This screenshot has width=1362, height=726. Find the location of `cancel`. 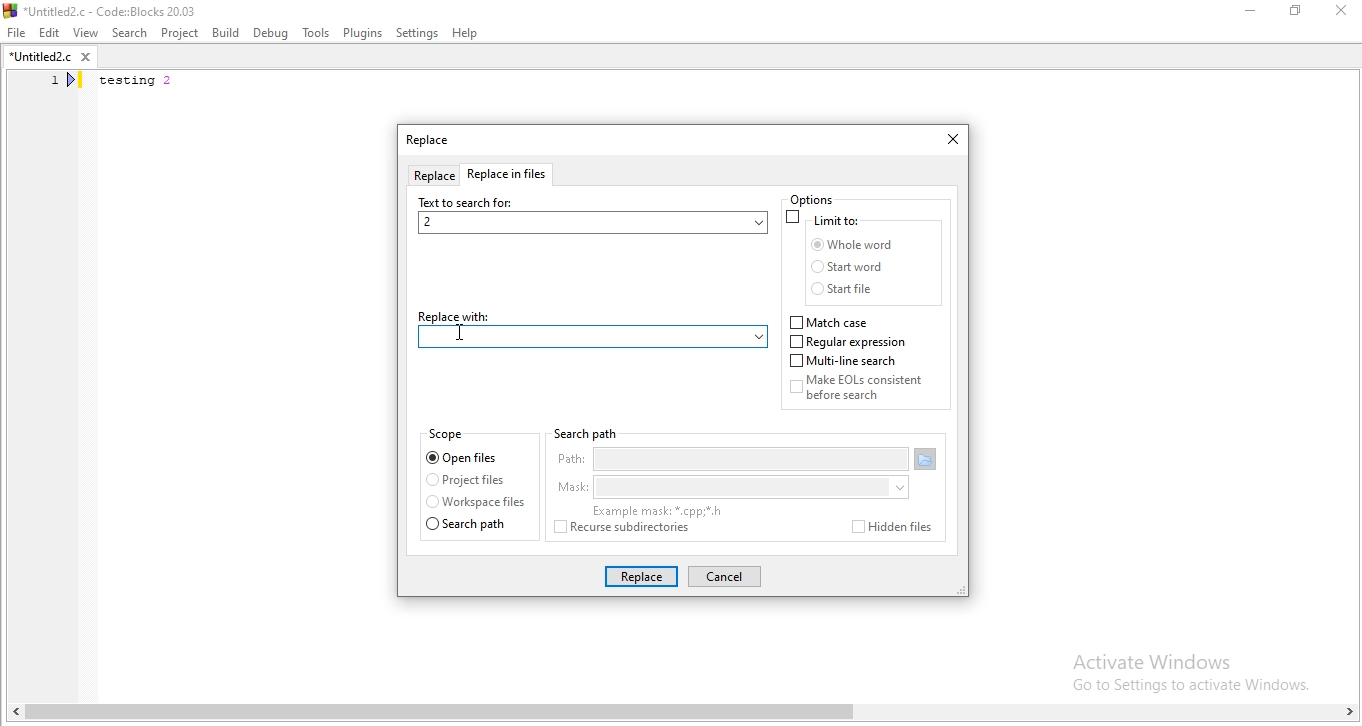

cancel is located at coordinates (723, 577).